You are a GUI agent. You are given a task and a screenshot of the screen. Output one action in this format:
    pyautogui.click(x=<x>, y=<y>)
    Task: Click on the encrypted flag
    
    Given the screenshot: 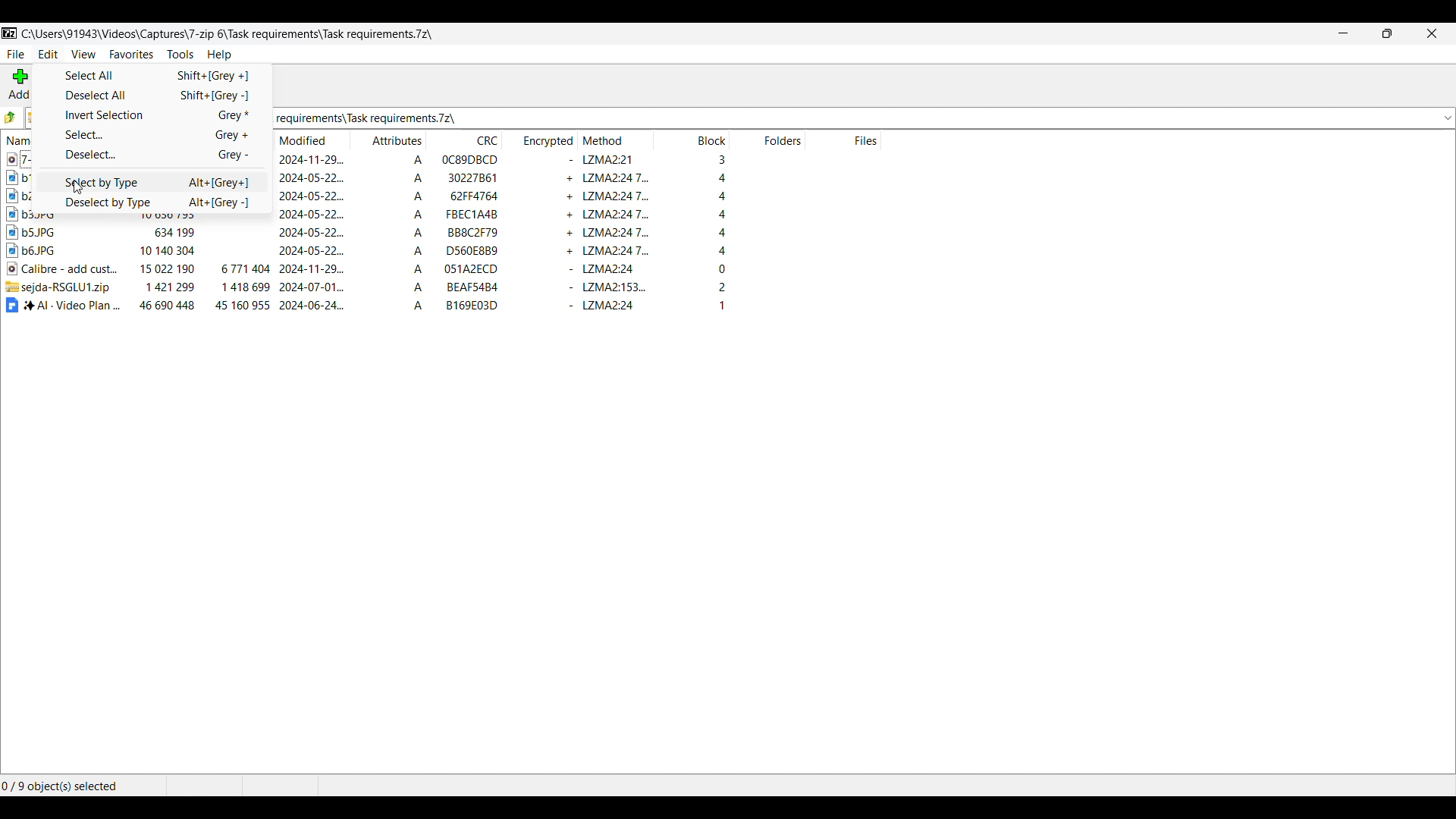 What is the action you would take?
    pyautogui.click(x=547, y=236)
    